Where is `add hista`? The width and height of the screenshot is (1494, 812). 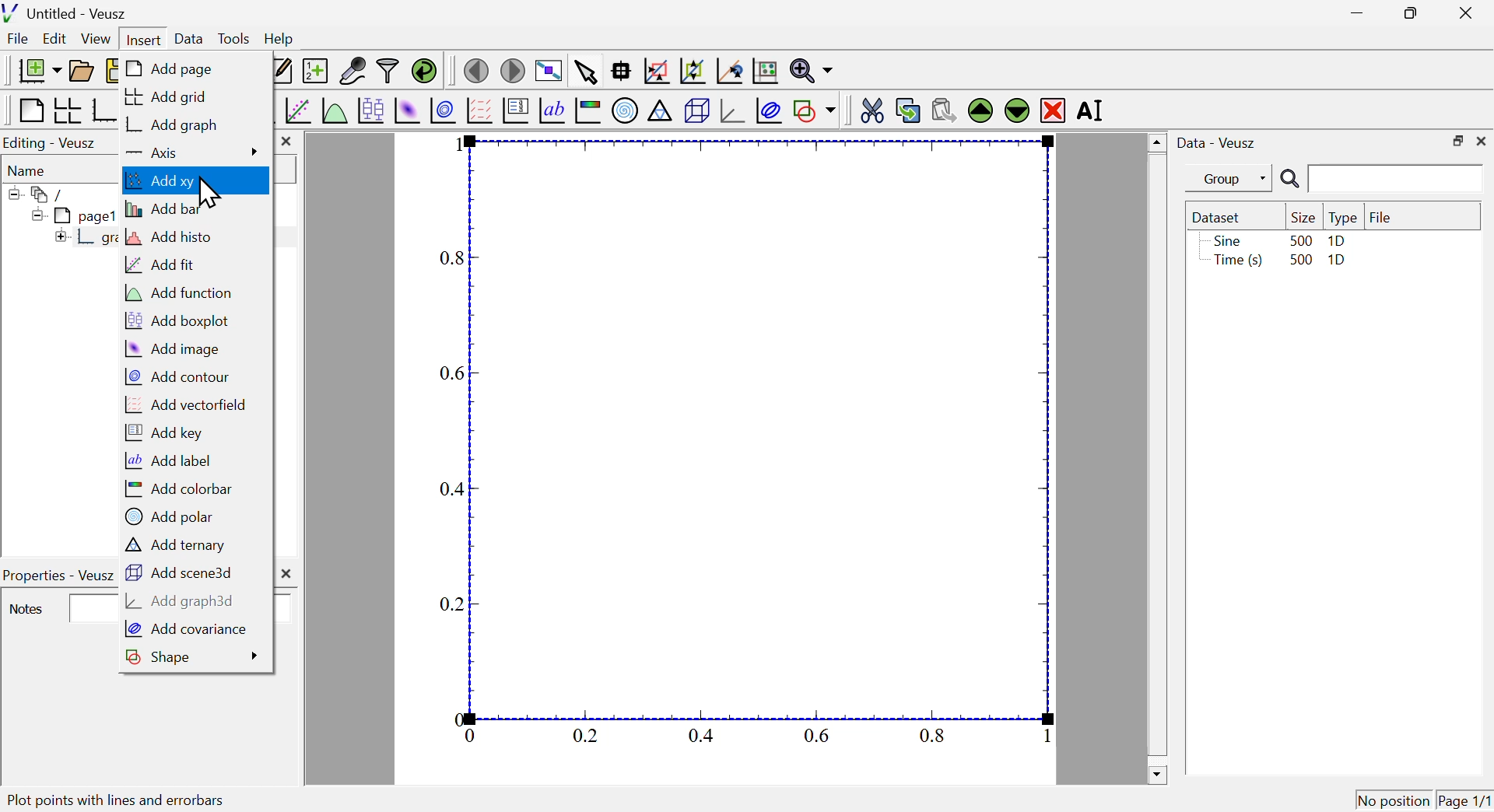
add hista is located at coordinates (172, 238).